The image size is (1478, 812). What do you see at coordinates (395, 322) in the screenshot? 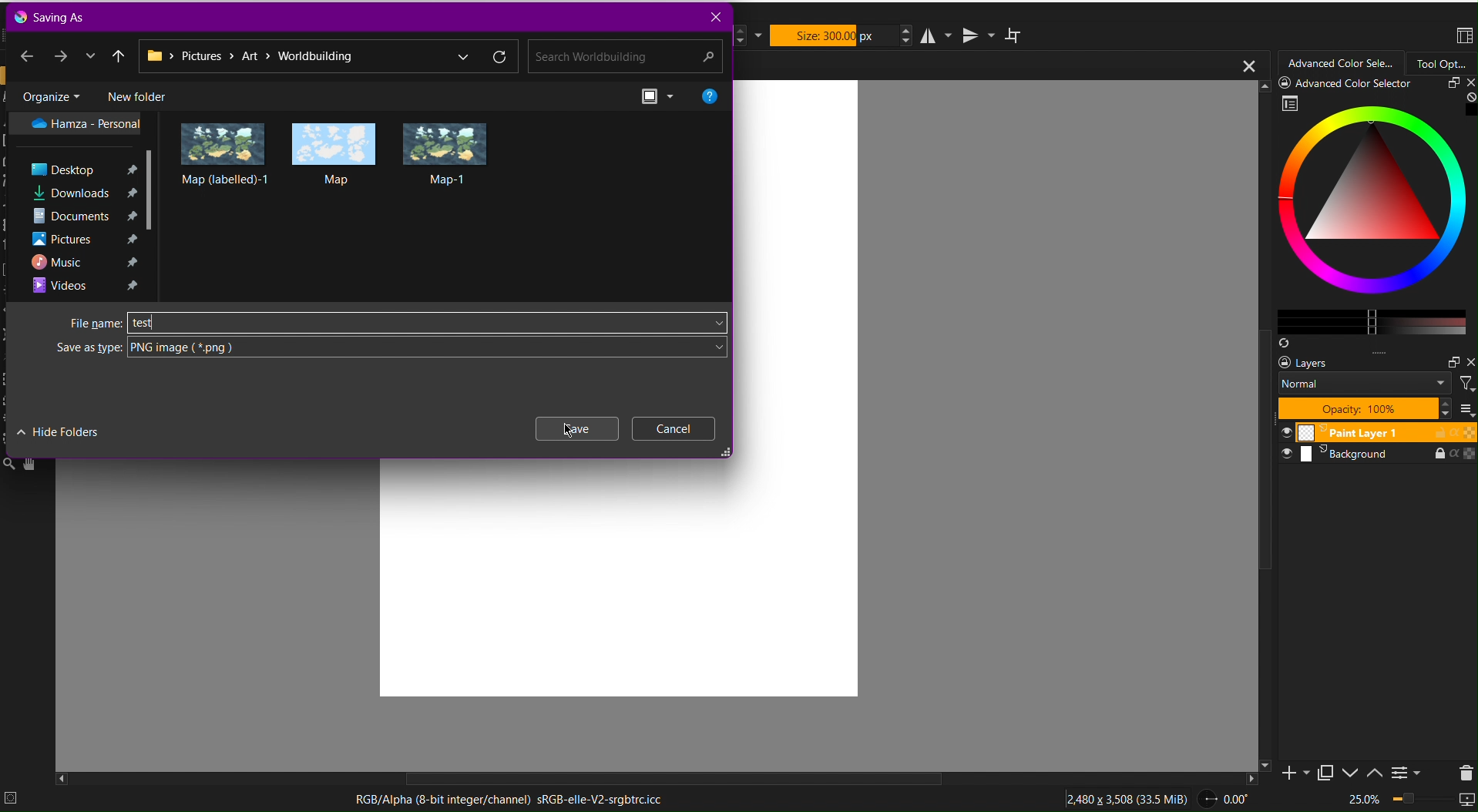
I see `File Name` at bounding box center [395, 322].